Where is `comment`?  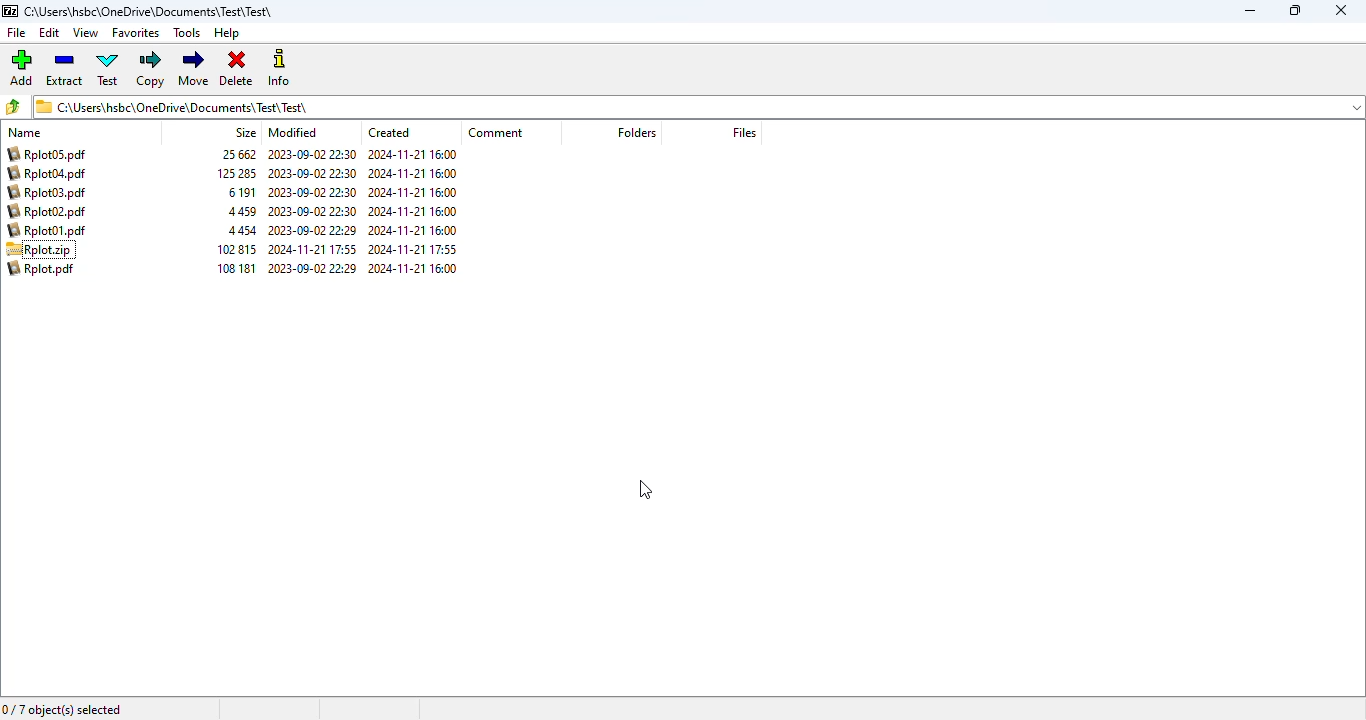 comment is located at coordinates (496, 132).